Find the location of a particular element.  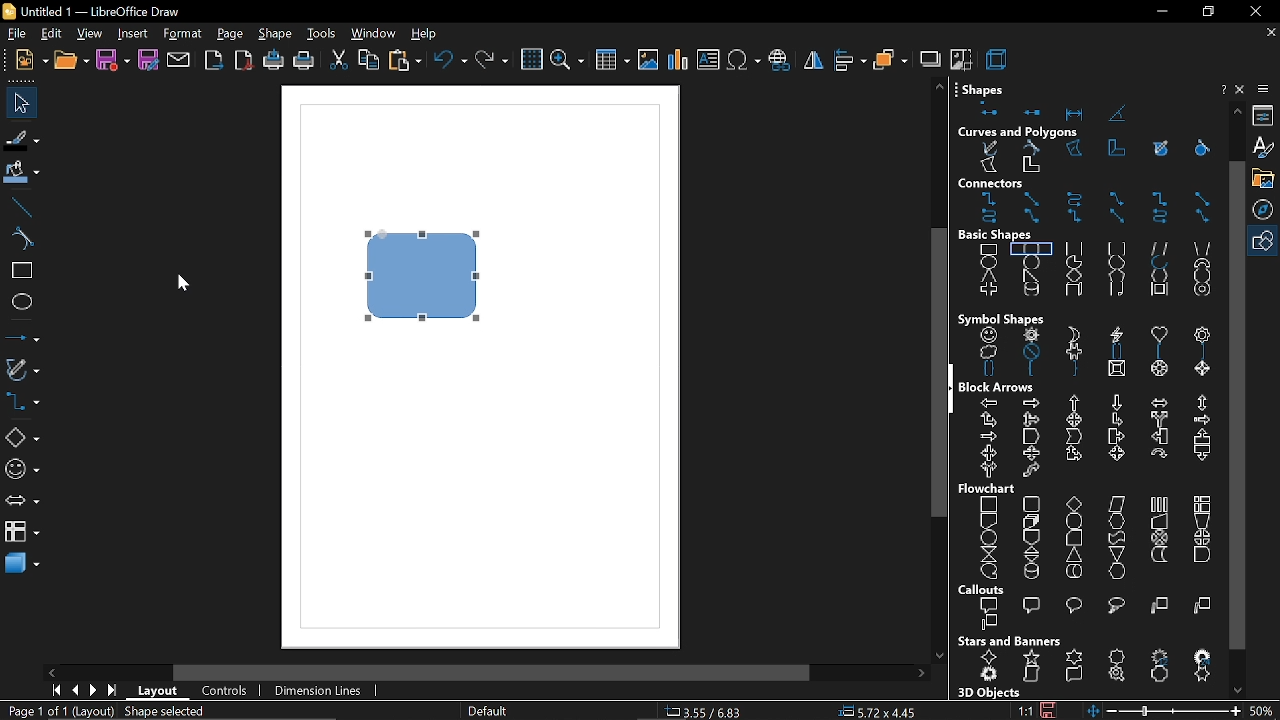

copy is located at coordinates (369, 62).